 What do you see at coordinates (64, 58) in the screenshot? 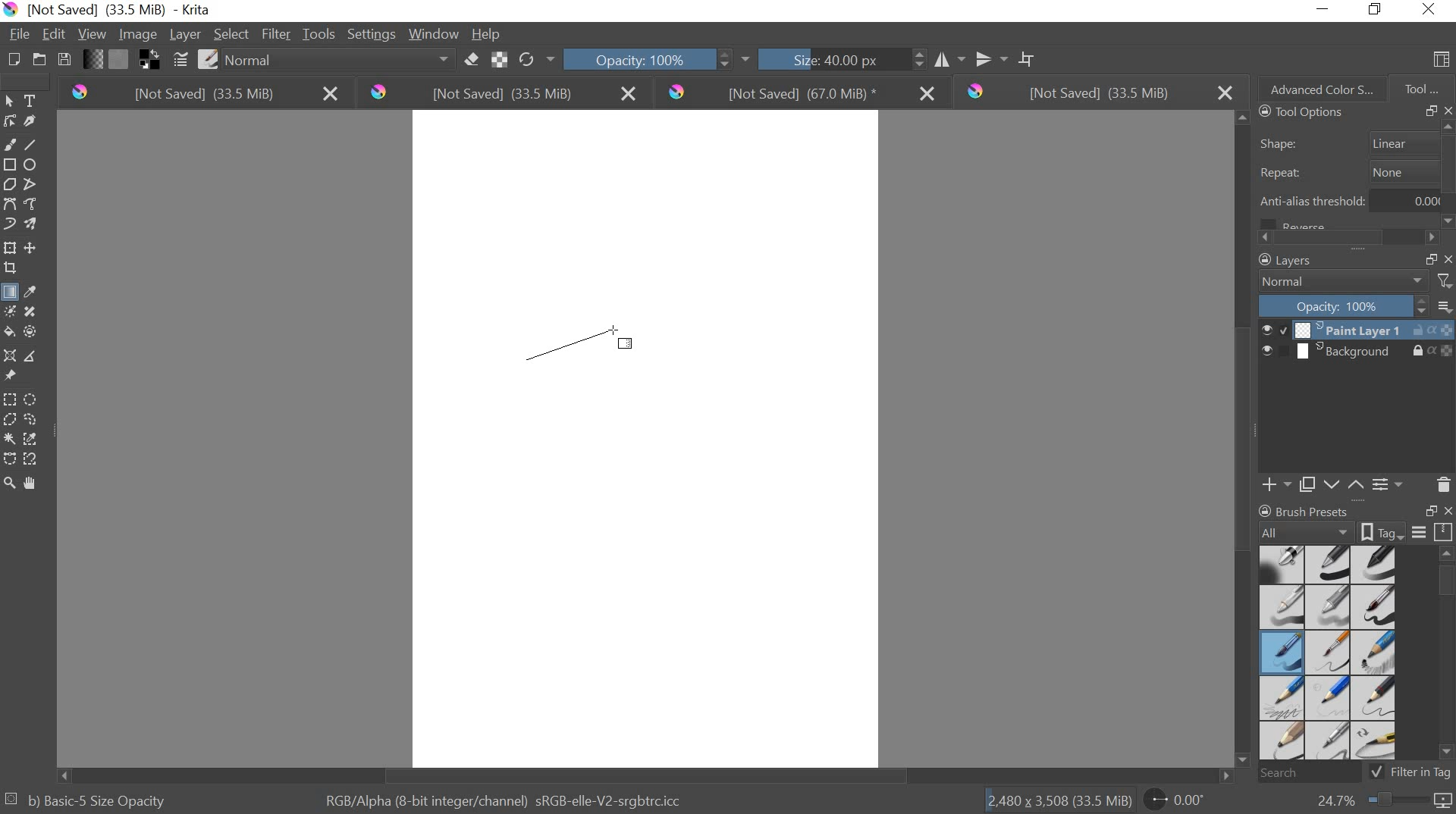
I see `SAVE` at bounding box center [64, 58].